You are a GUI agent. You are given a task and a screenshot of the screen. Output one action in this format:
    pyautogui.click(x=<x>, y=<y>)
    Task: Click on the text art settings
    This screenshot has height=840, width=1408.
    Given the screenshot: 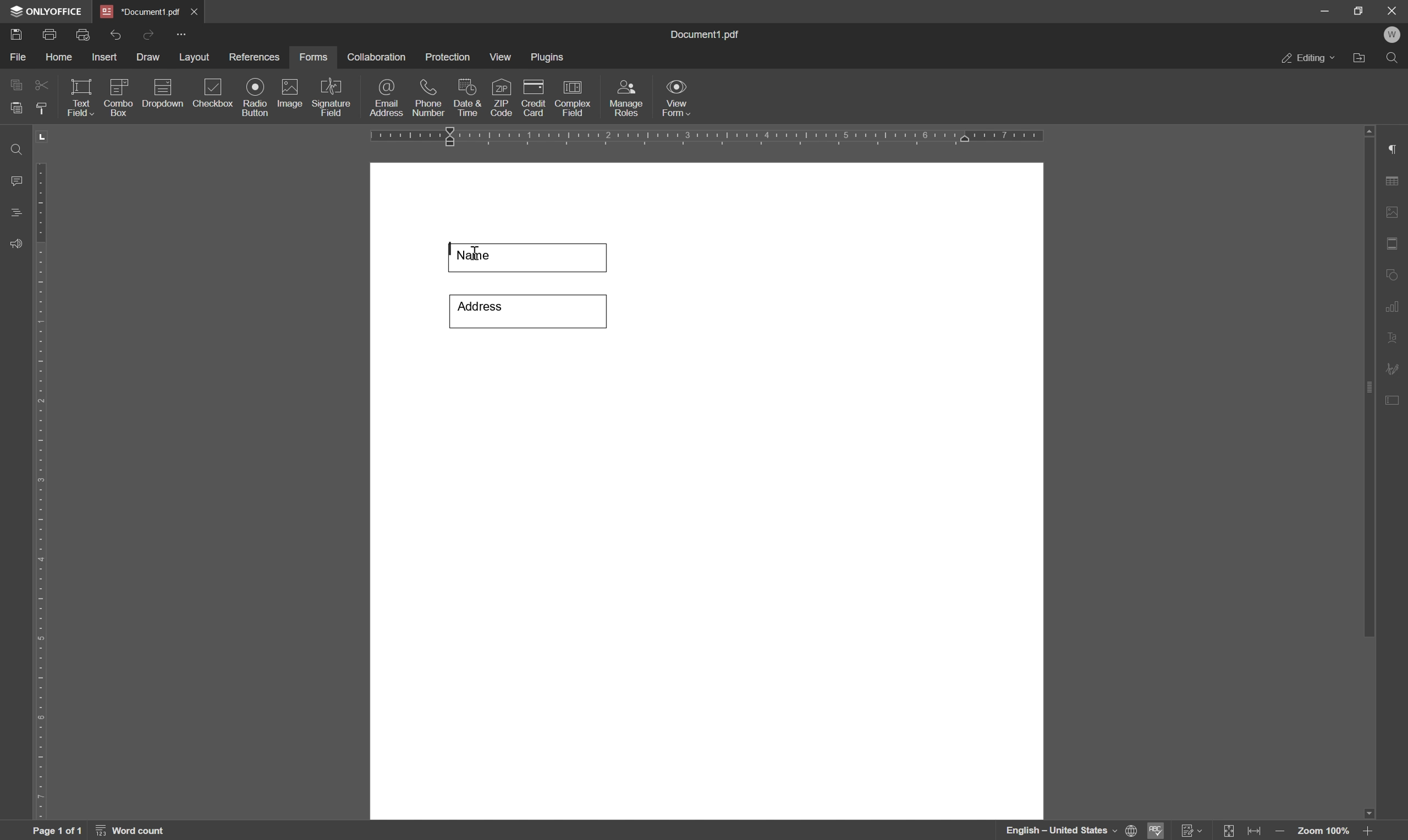 What is the action you would take?
    pyautogui.click(x=1394, y=337)
    